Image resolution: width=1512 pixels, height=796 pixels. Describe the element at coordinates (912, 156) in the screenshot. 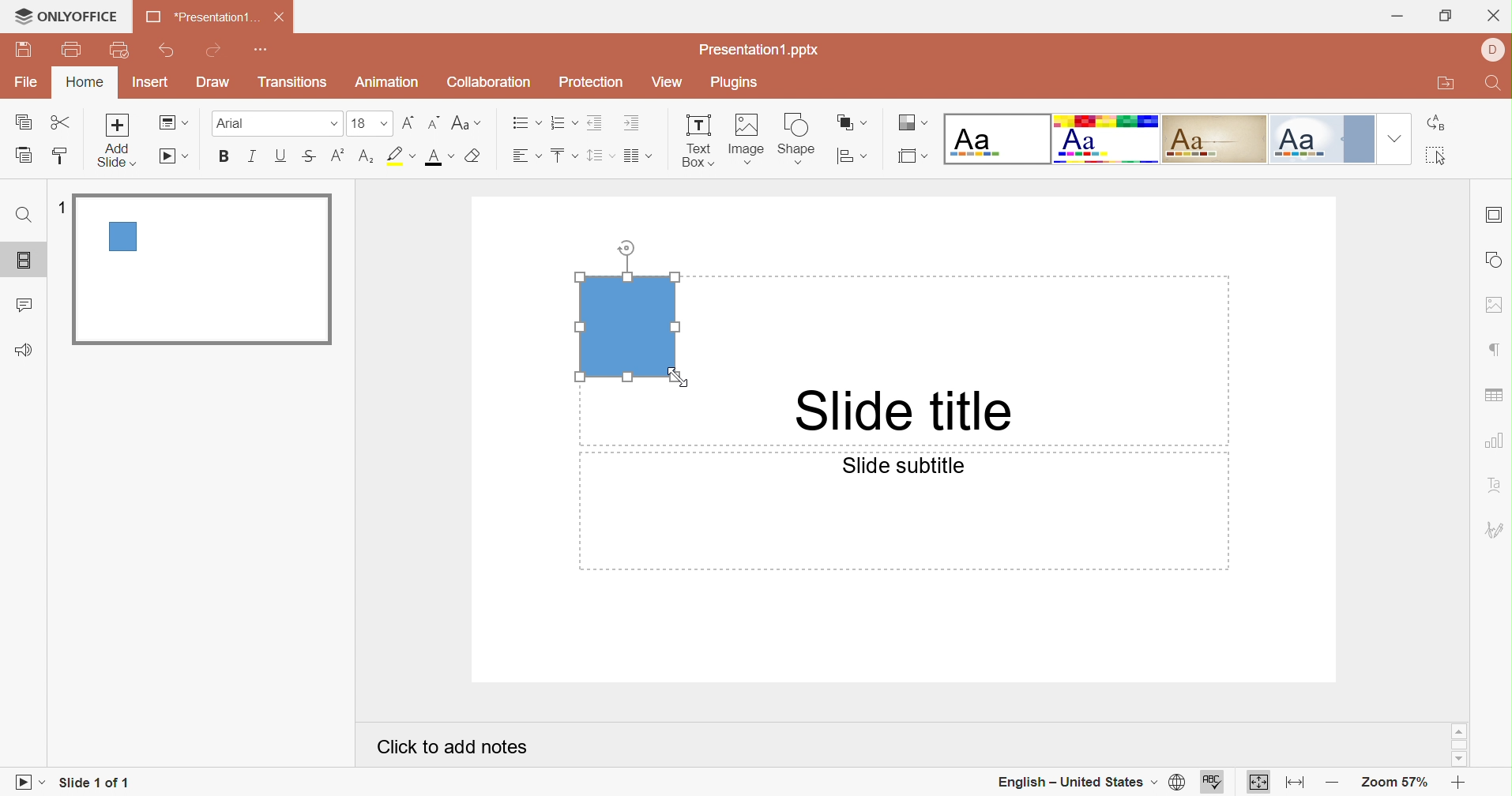

I see `Change slide size` at that location.